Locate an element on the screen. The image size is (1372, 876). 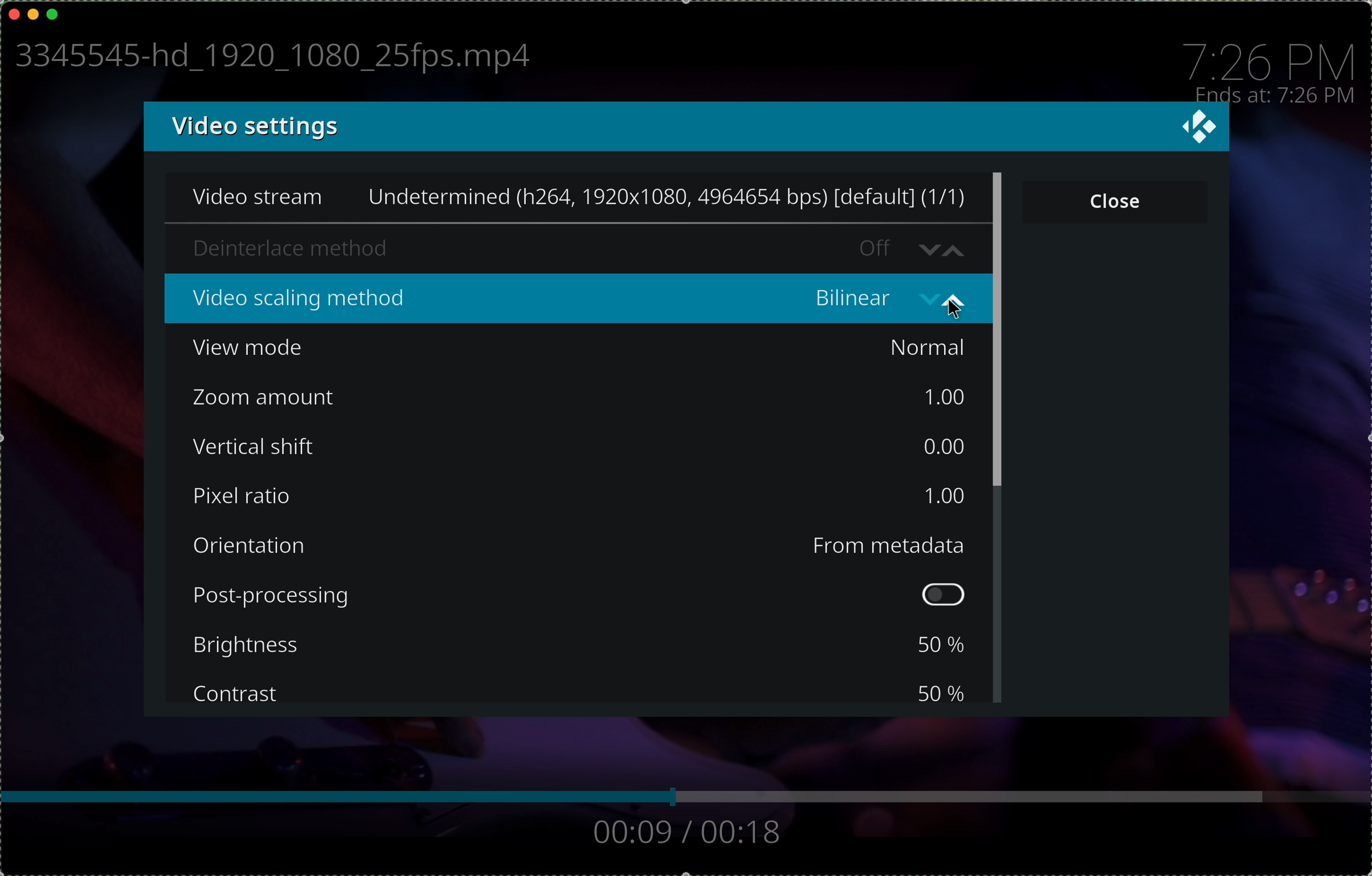
cursor is located at coordinates (957, 310).